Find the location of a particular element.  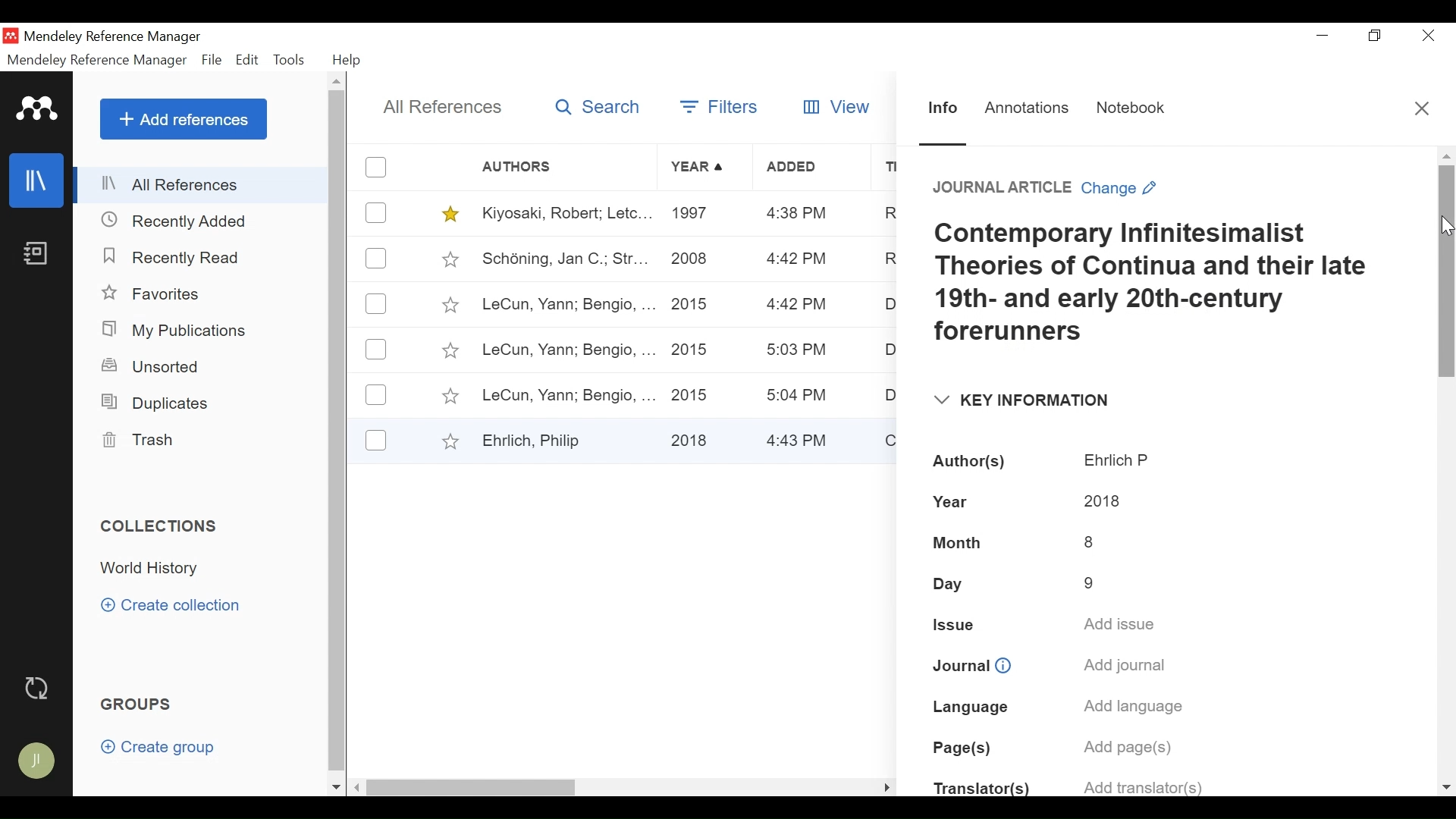

8 is located at coordinates (1091, 539).